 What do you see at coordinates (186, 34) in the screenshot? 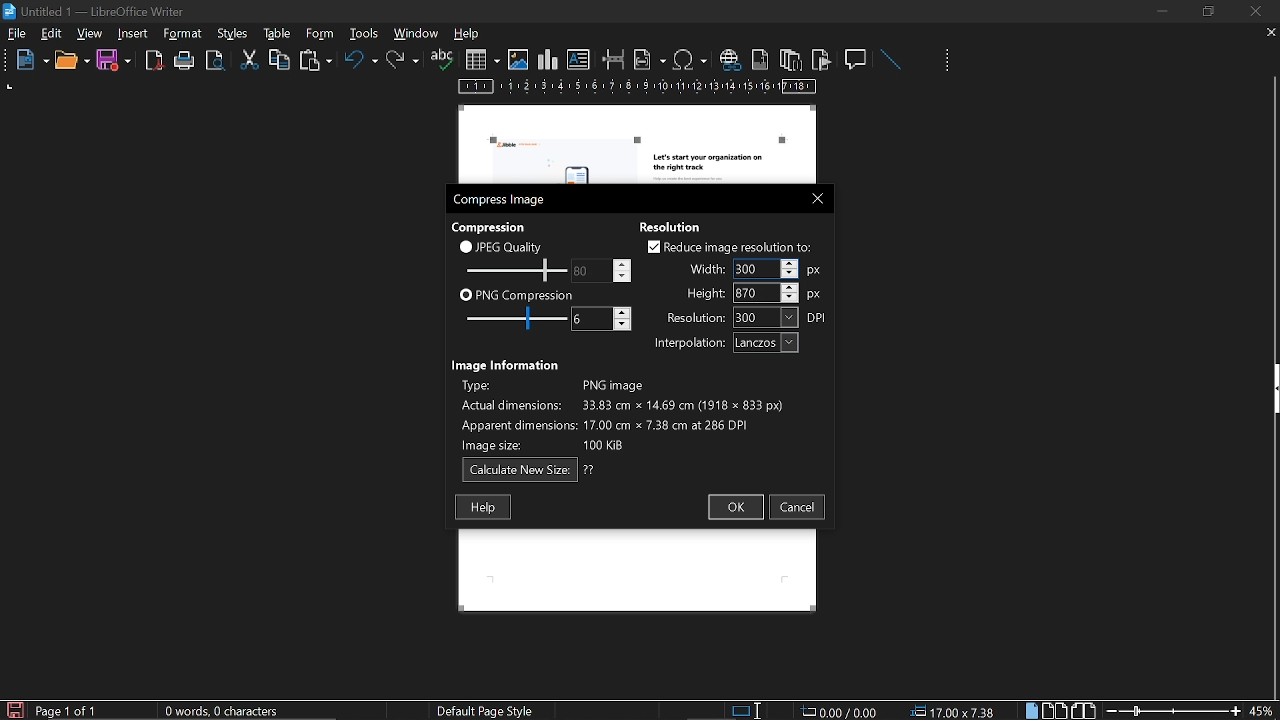
I see `tools` at bounding box center [186, 34].